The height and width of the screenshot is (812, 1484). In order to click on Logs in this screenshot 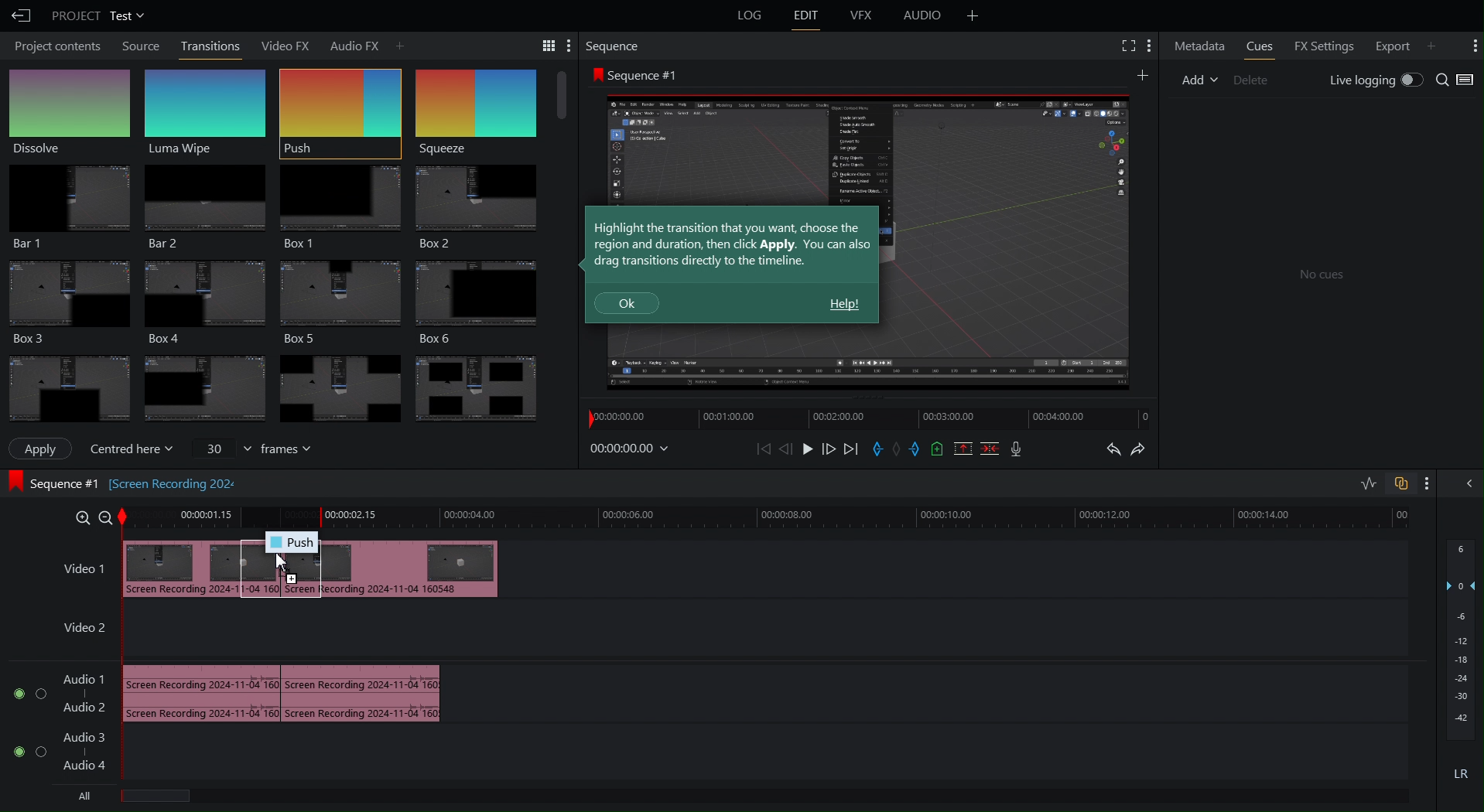, I will do `click(742, 19)`.